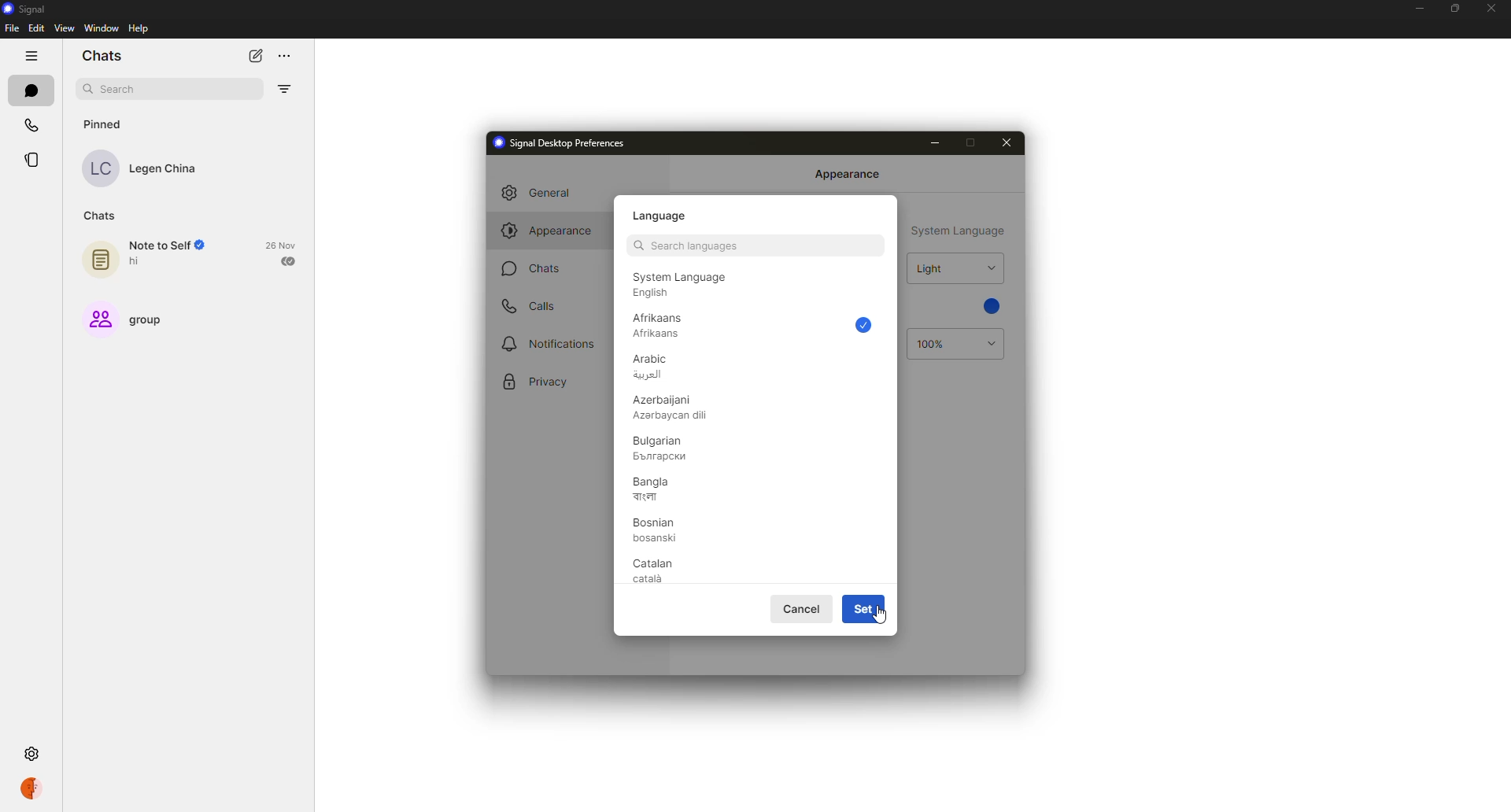 The height and width of the screenshot is (812, 1511). Describe the element at coordinates (865, 325) in the screenshot. I see `selected` at that location.